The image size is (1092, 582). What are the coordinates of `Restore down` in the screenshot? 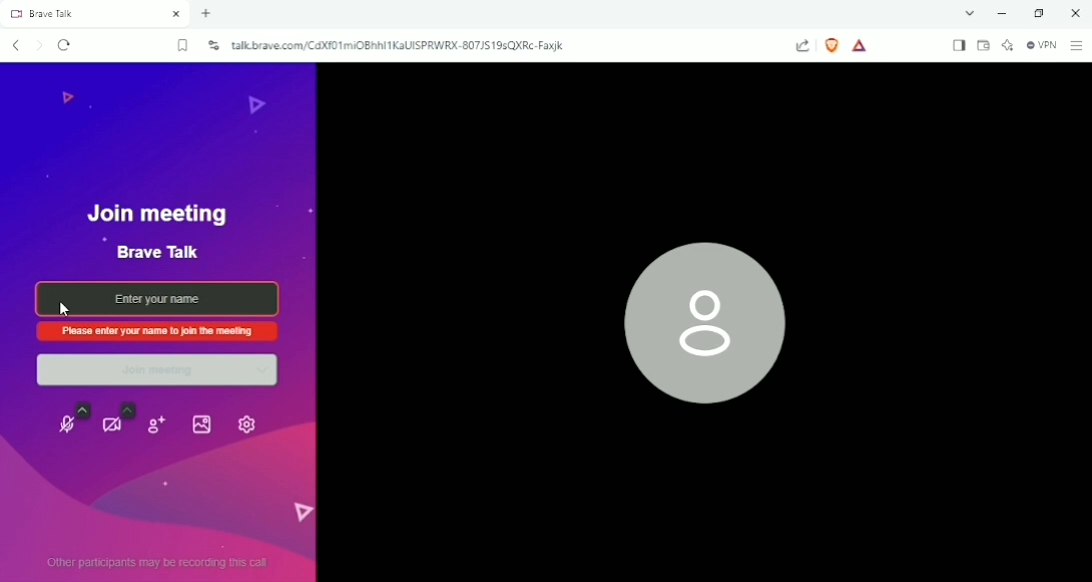 It's located at (1039, 13).